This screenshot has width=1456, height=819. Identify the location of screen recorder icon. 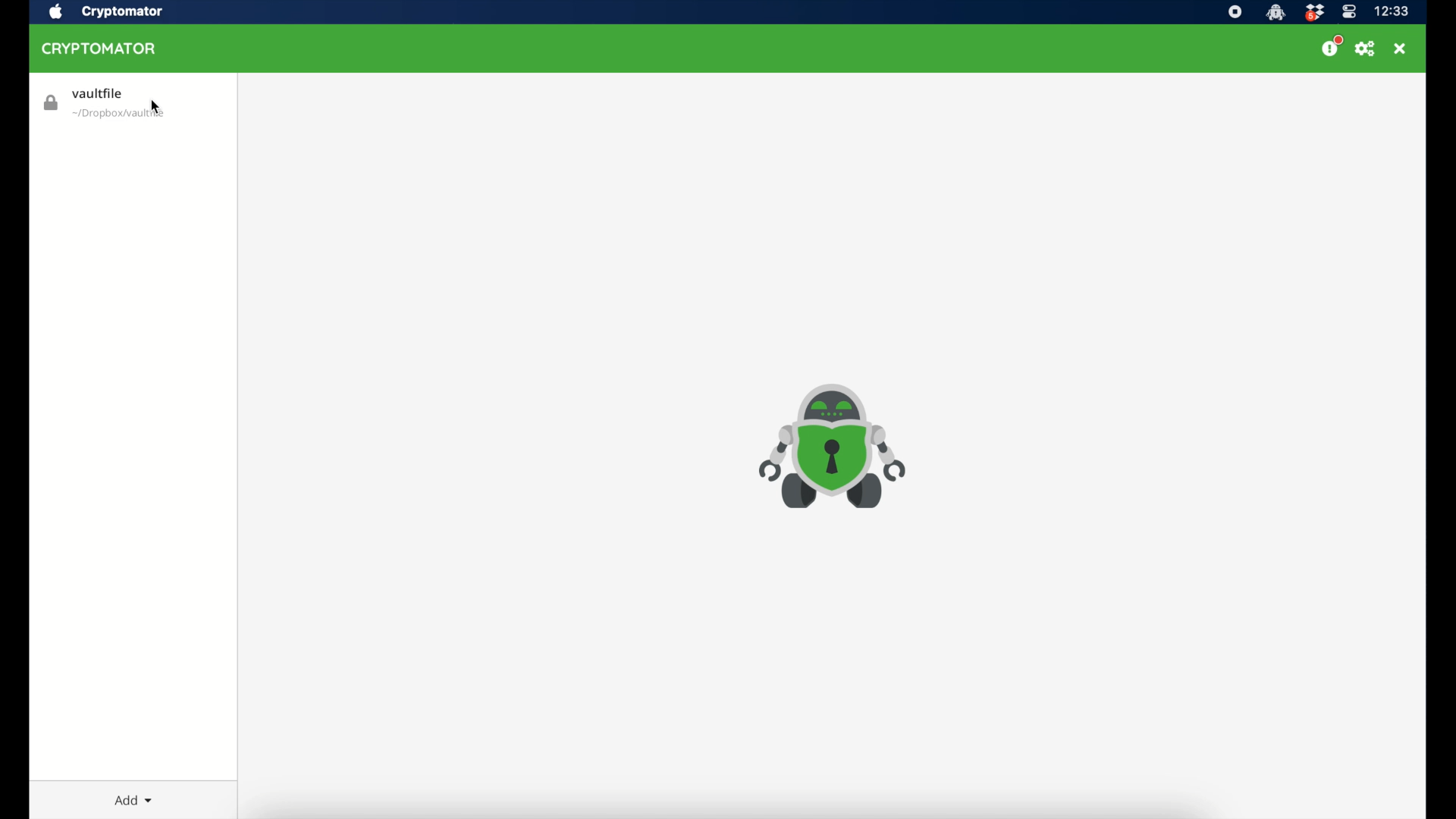
(1236, 11).